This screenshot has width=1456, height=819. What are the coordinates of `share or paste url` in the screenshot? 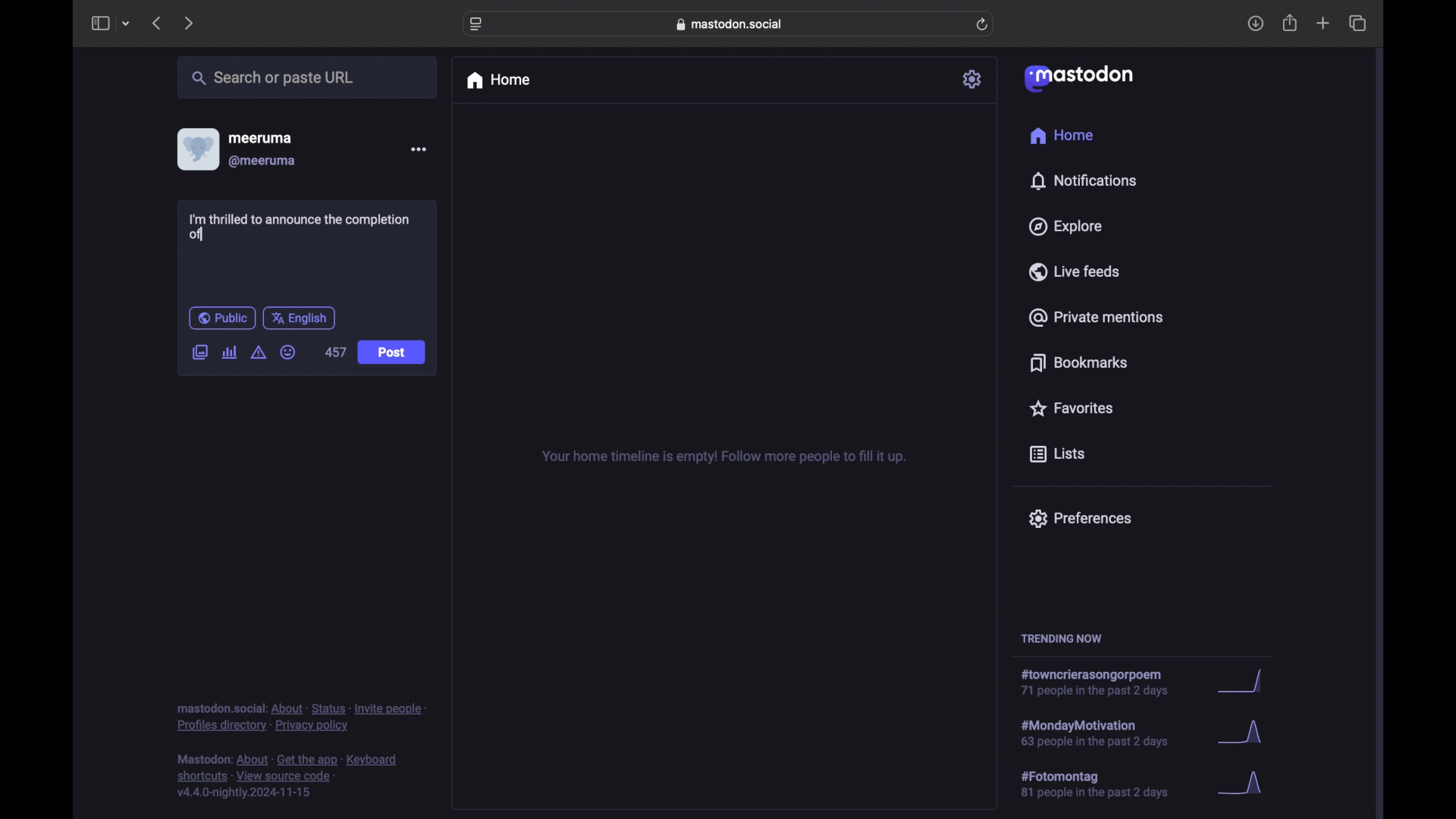 It's located at (273, 77).